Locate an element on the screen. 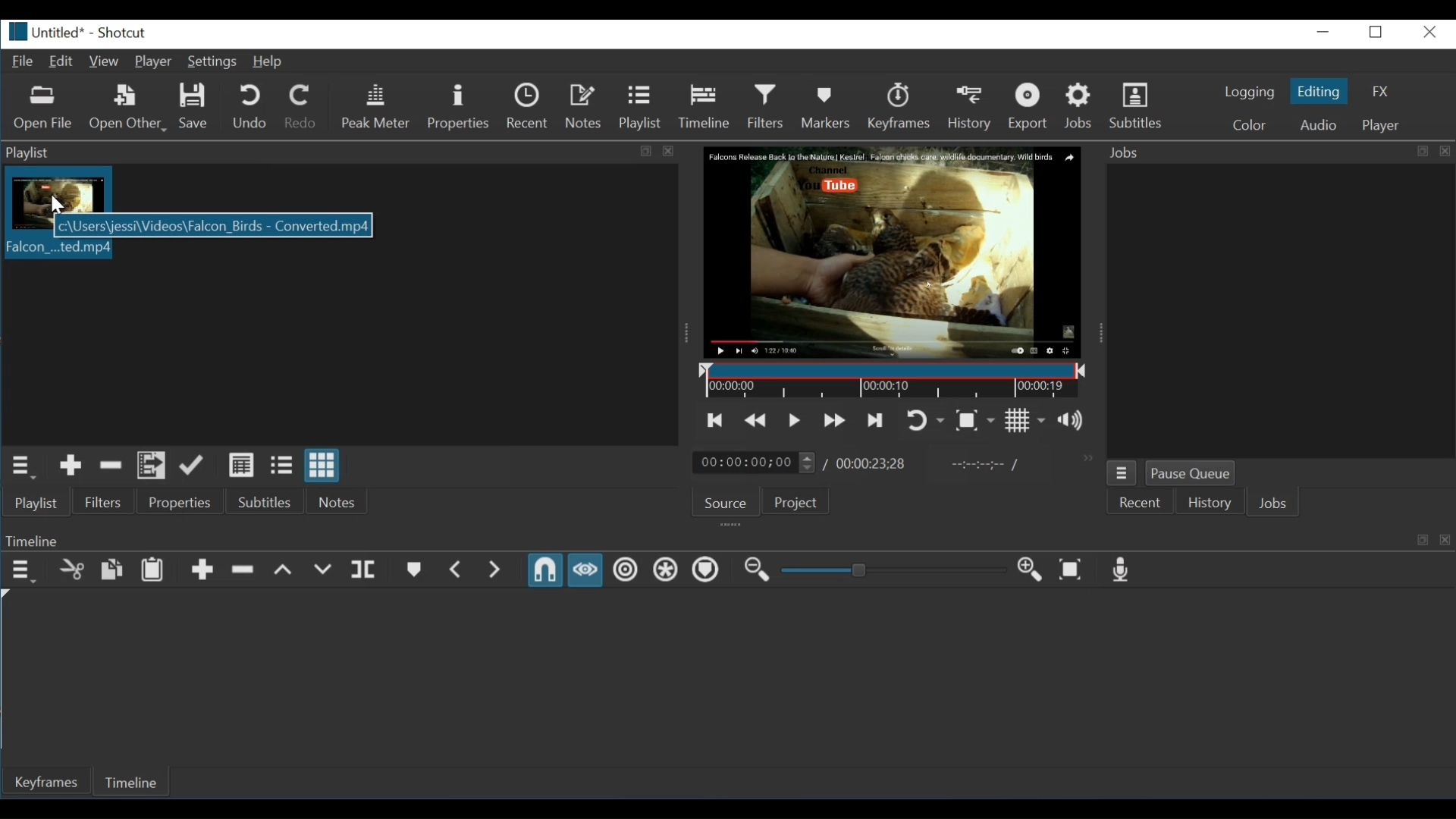  Restore is located at coordinates (1377, 32).